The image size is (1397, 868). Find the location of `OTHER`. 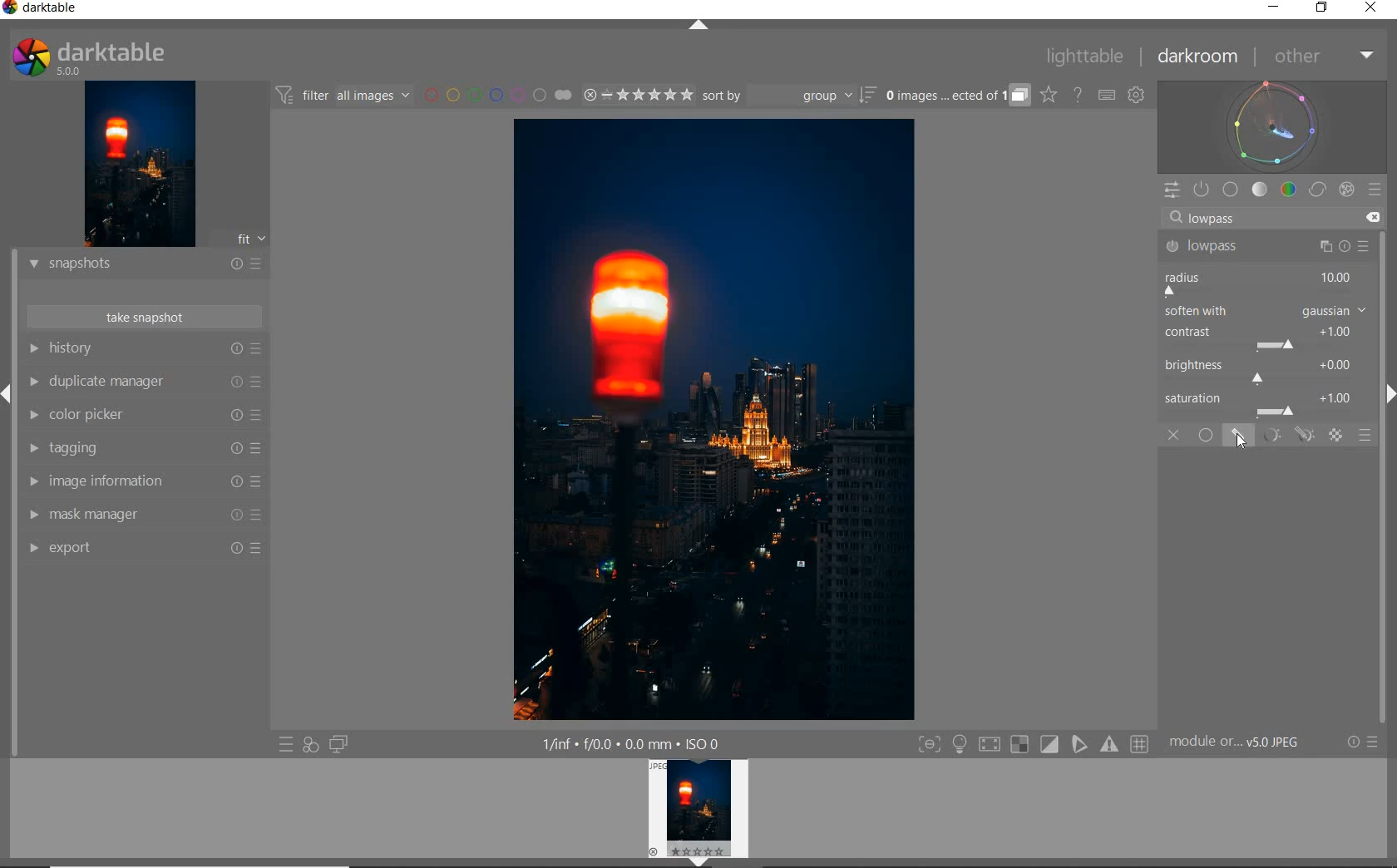

OTHER is located at coordinates (1323, 57).